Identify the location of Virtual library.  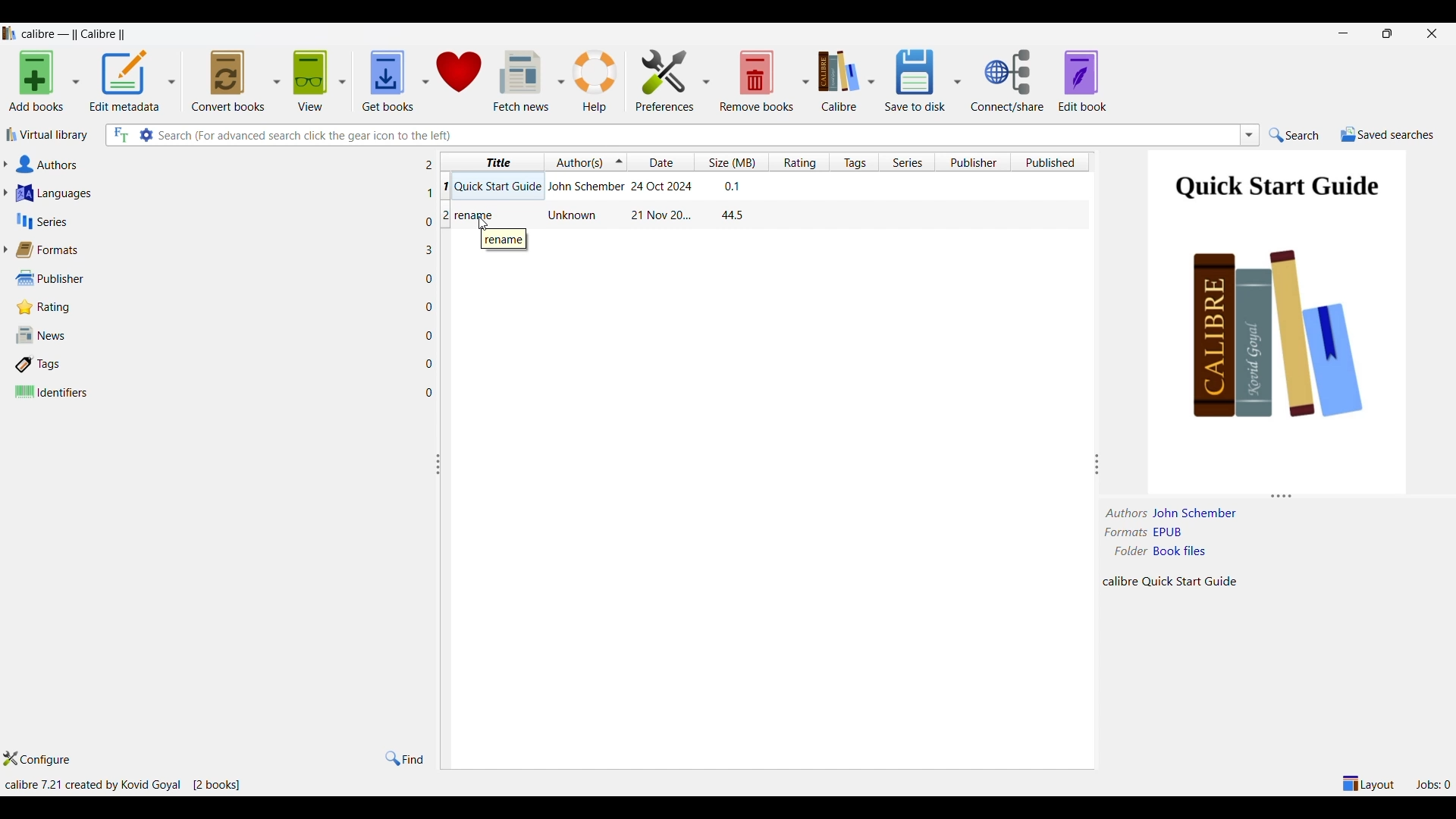
(47, 135).